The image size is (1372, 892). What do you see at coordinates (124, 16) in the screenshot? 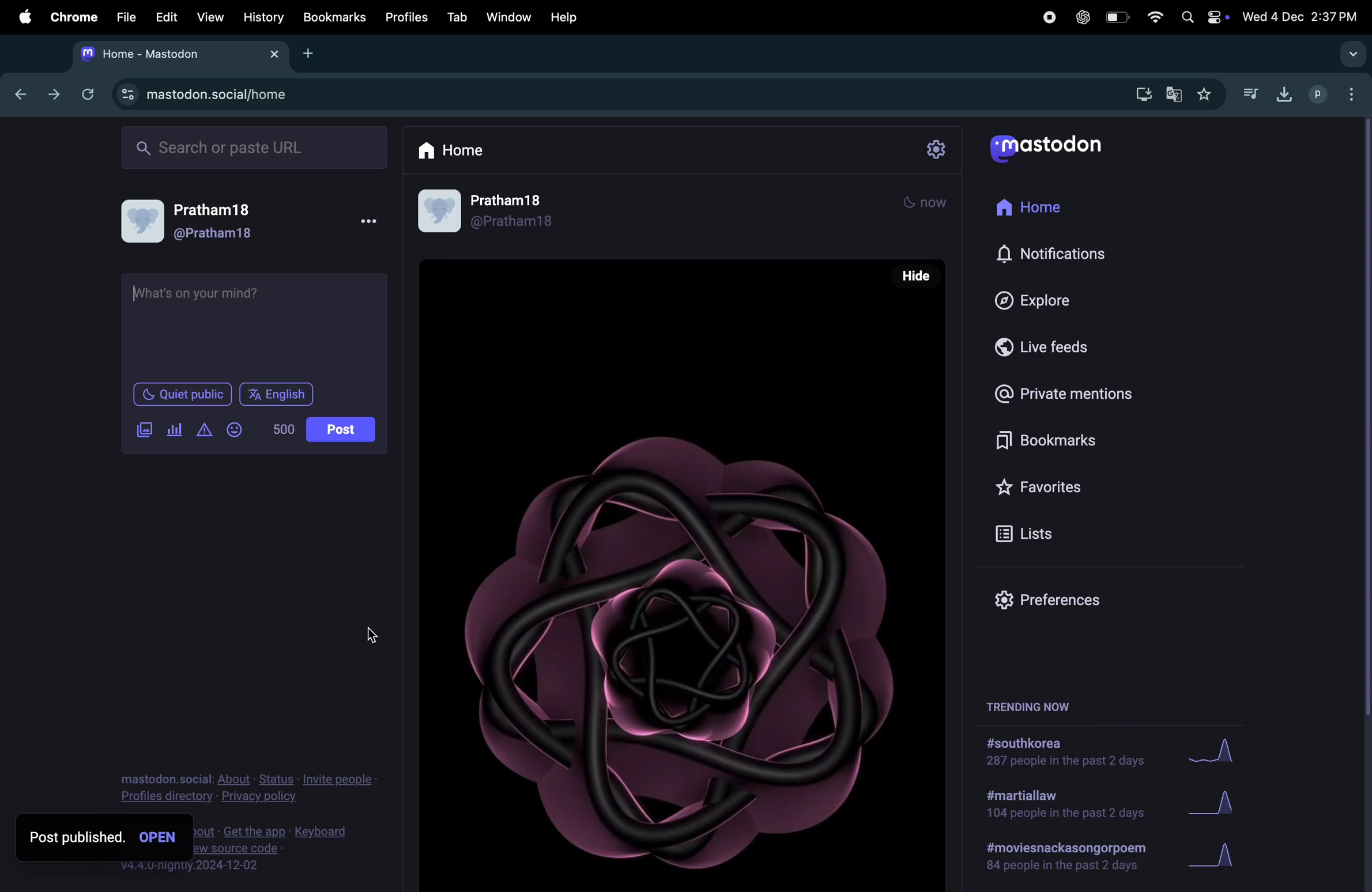
I see `Files` at bounding box center [124, 16].